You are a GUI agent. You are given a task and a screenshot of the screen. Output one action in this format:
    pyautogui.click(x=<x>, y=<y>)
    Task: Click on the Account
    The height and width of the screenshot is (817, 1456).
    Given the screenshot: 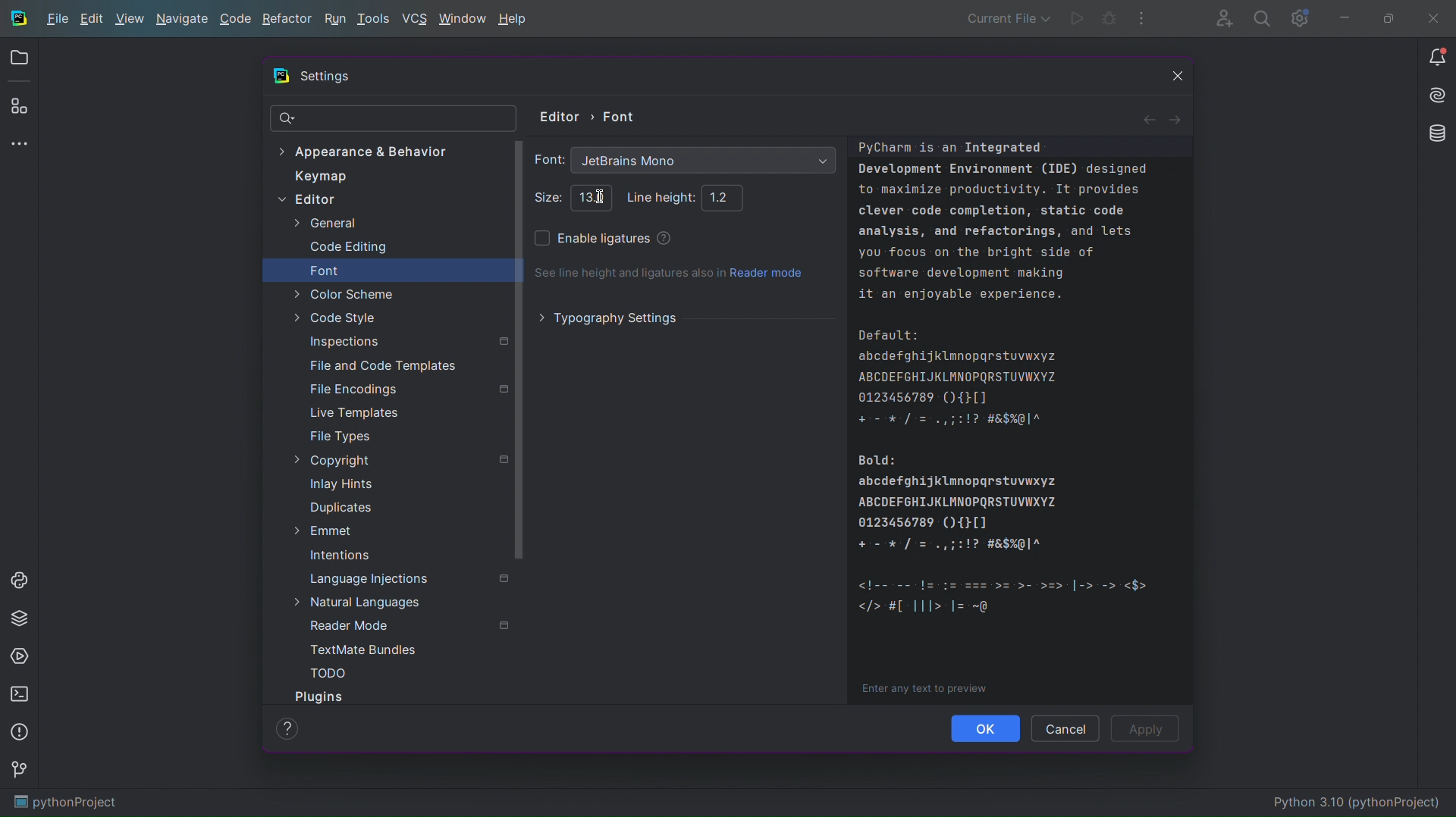 What is the action you would take?
    pyautogui.click(x=1221, y=17)
    